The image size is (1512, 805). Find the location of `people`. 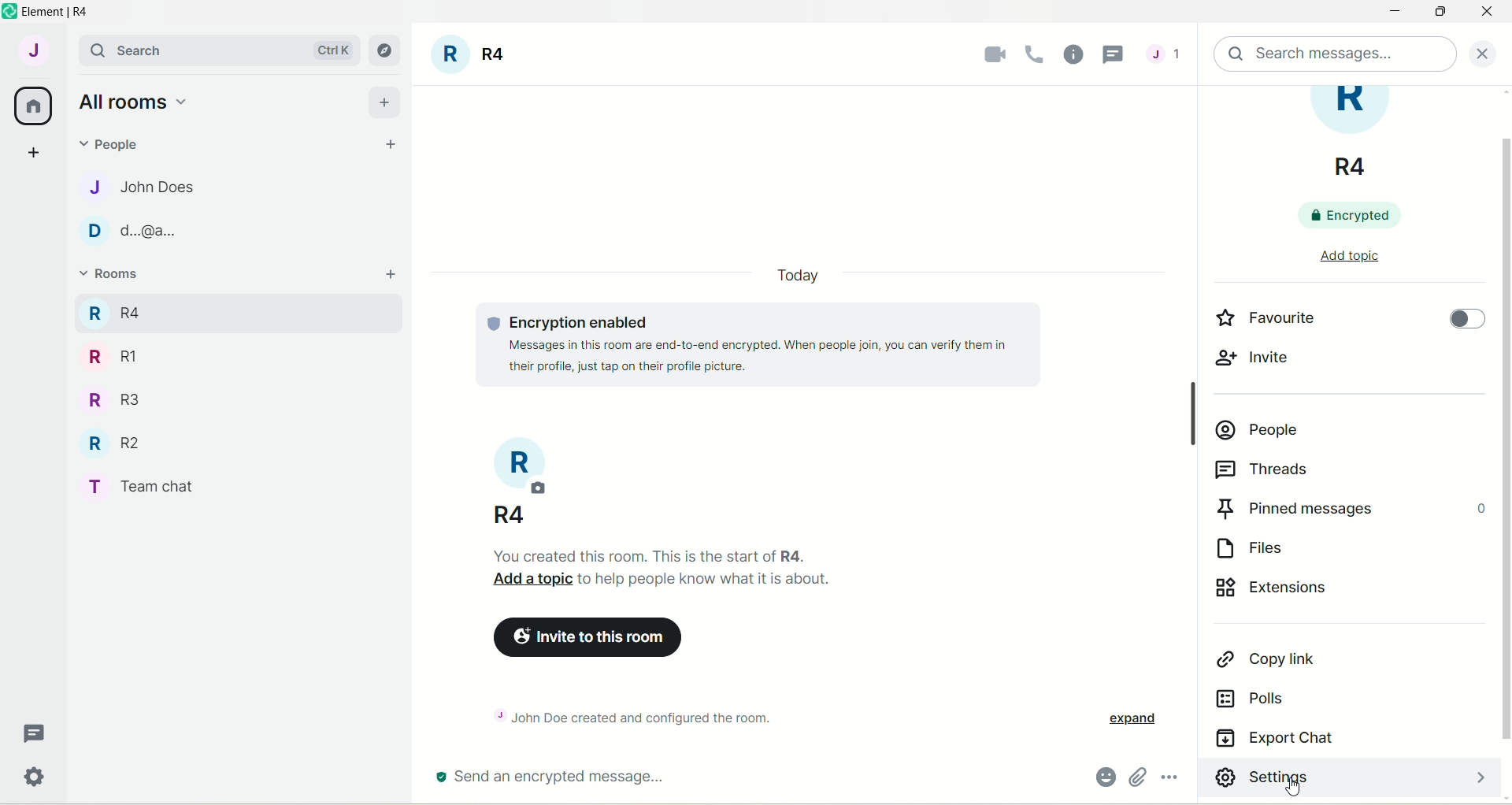

people is located at coordinates (1260, 425).